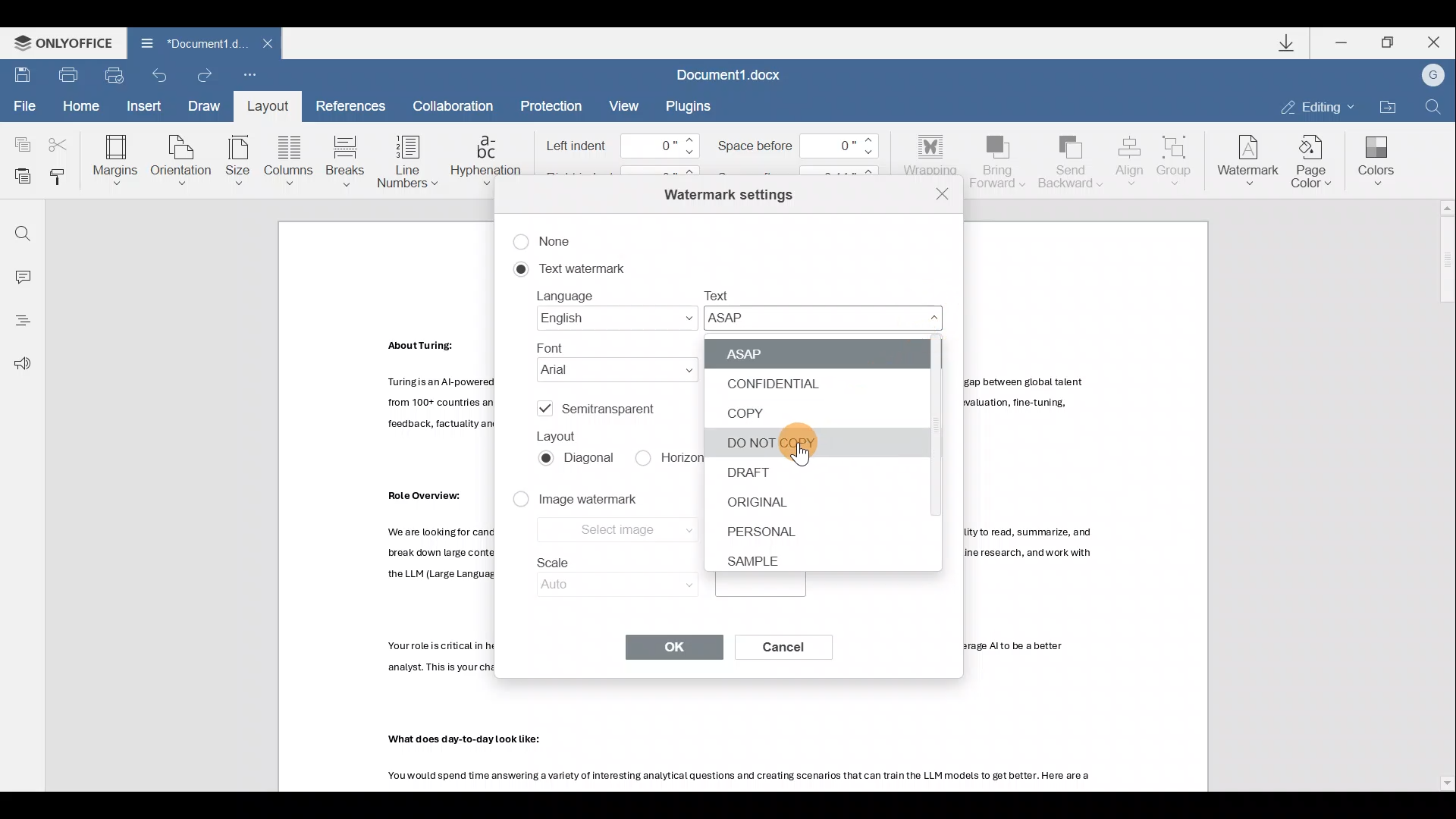 The image size is (1456, 819). I want to click on Watermark, so click(1250, 158).